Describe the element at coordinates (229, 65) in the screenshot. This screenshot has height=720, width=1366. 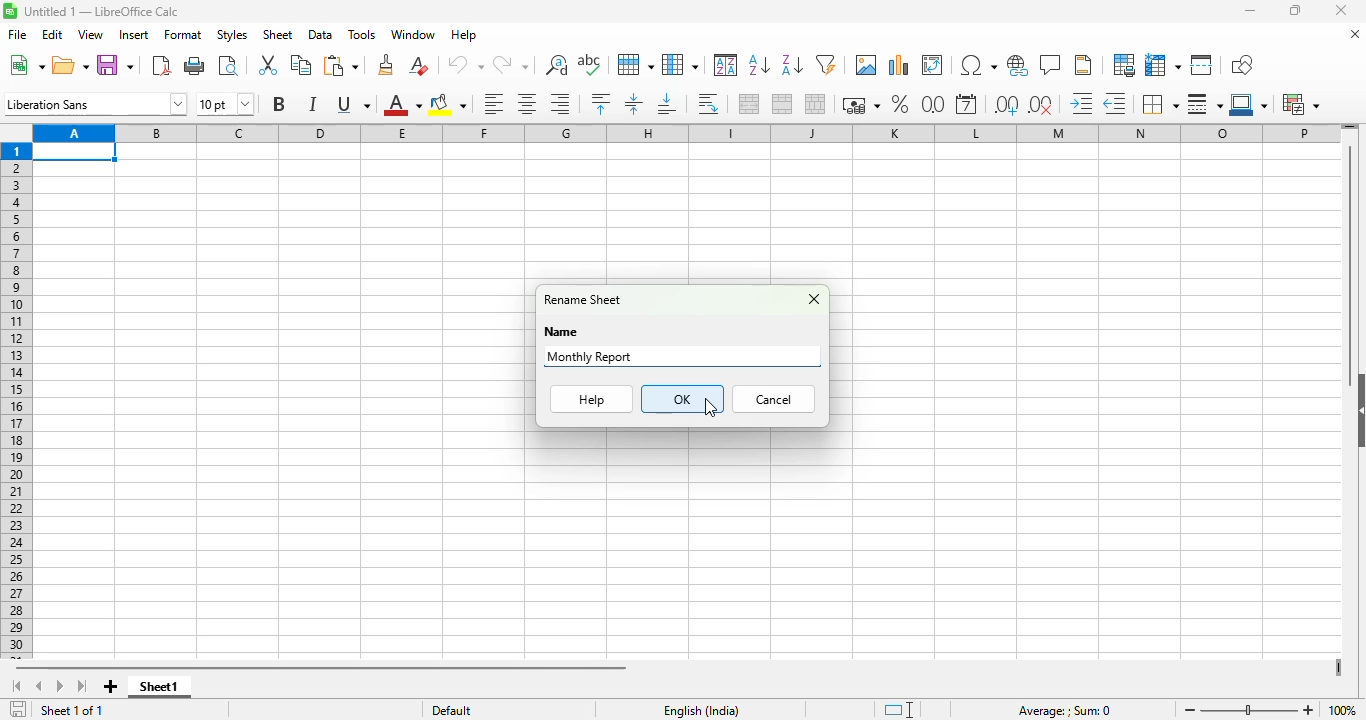
I see `toggle print preview` at that location.